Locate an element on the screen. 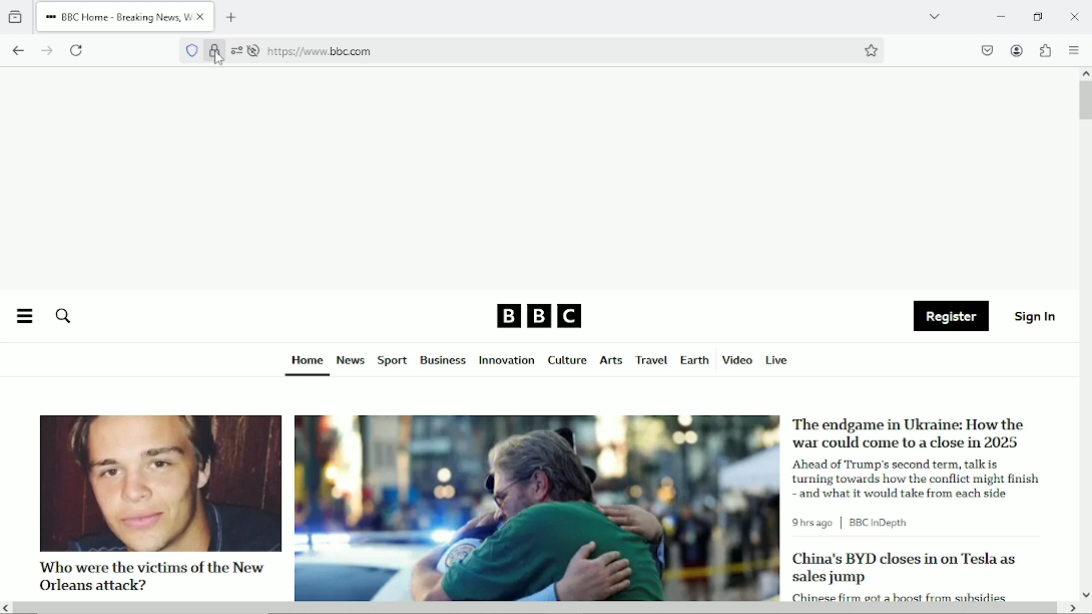  Register is located at coordinates (951, 317).